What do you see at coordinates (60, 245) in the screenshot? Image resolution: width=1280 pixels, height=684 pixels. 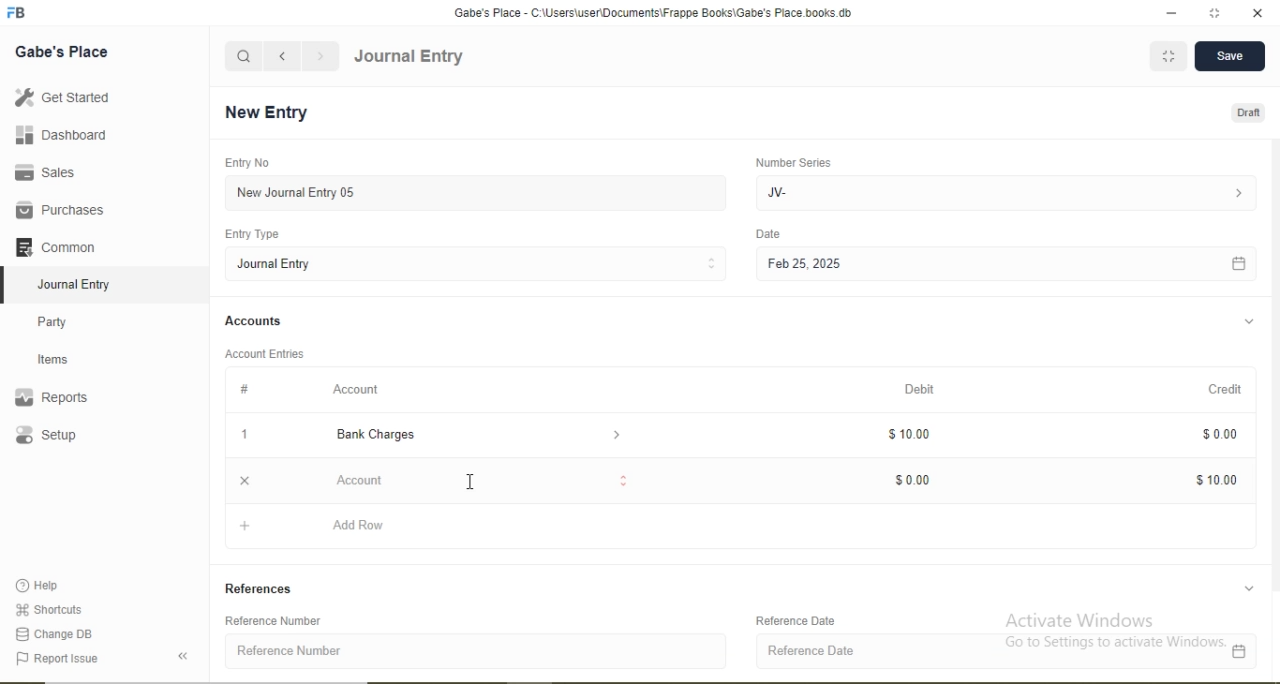 I see `Common` at bounding box center [60, 245].